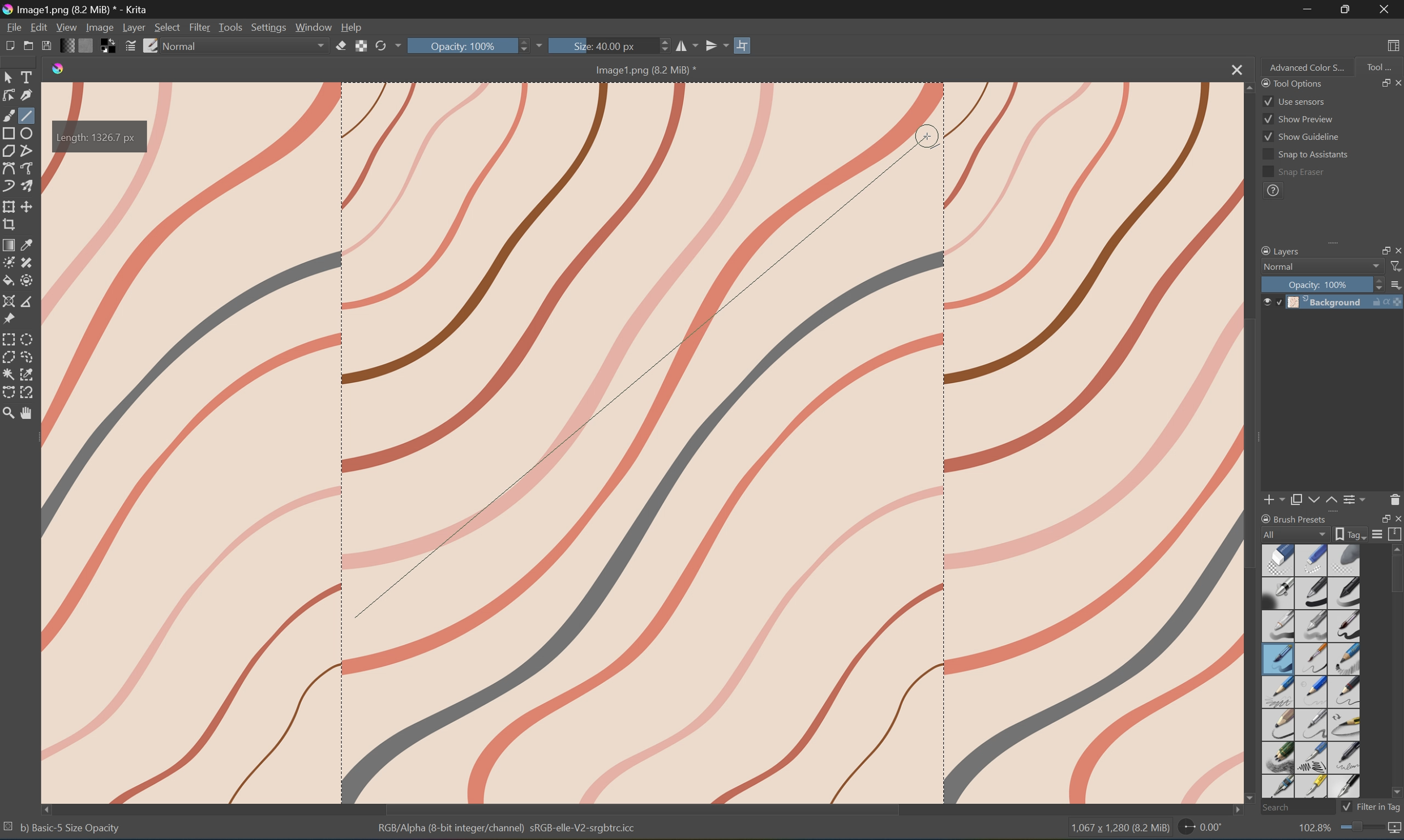  What do you see at coordinates (28, 115) in the screenshot?
I see `Line tool` at bounding box center [28, 115].